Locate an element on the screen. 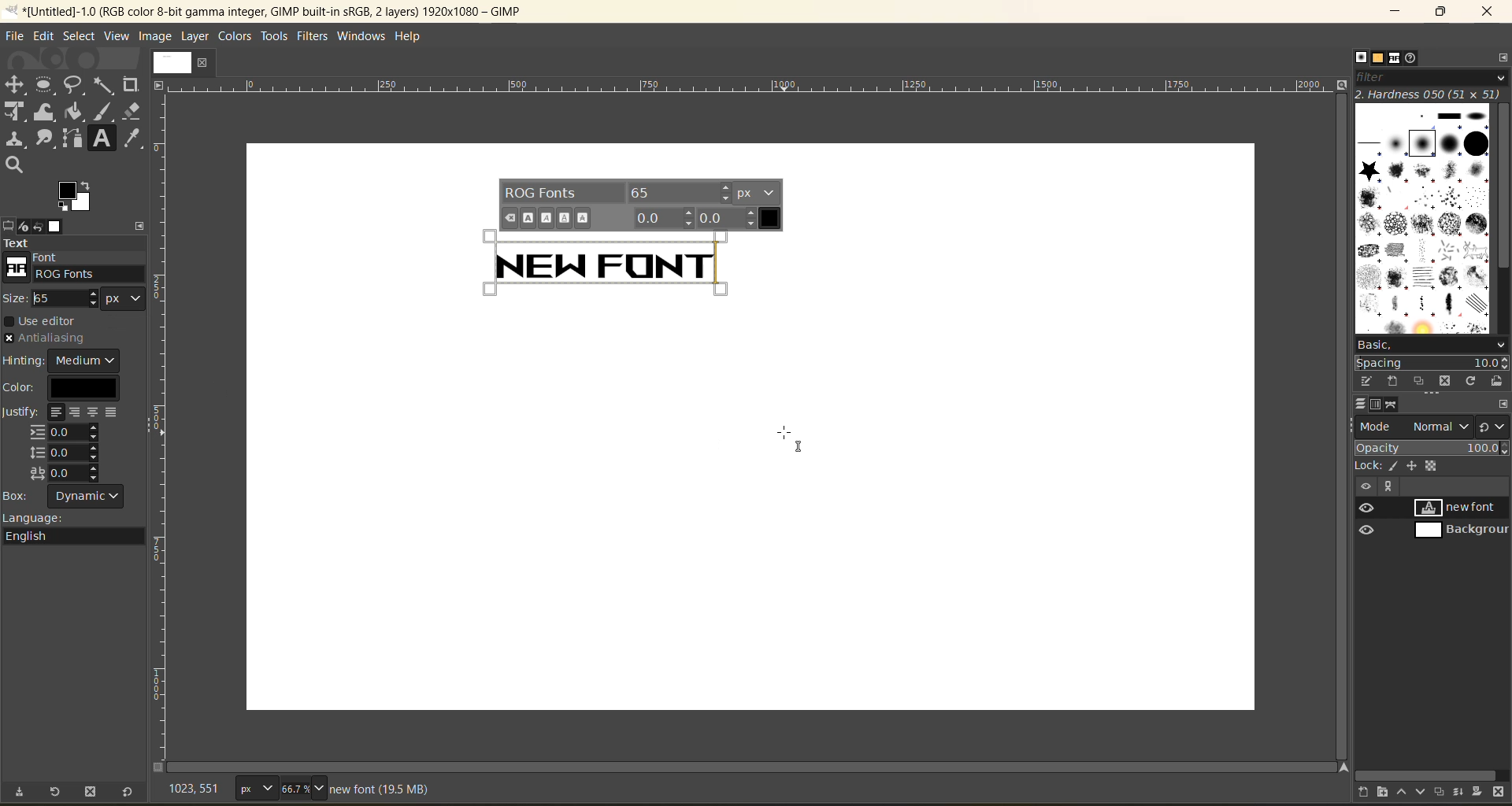 The width and height of the screenshot is (1512, 806). colors is located at coordinates (235, 38).